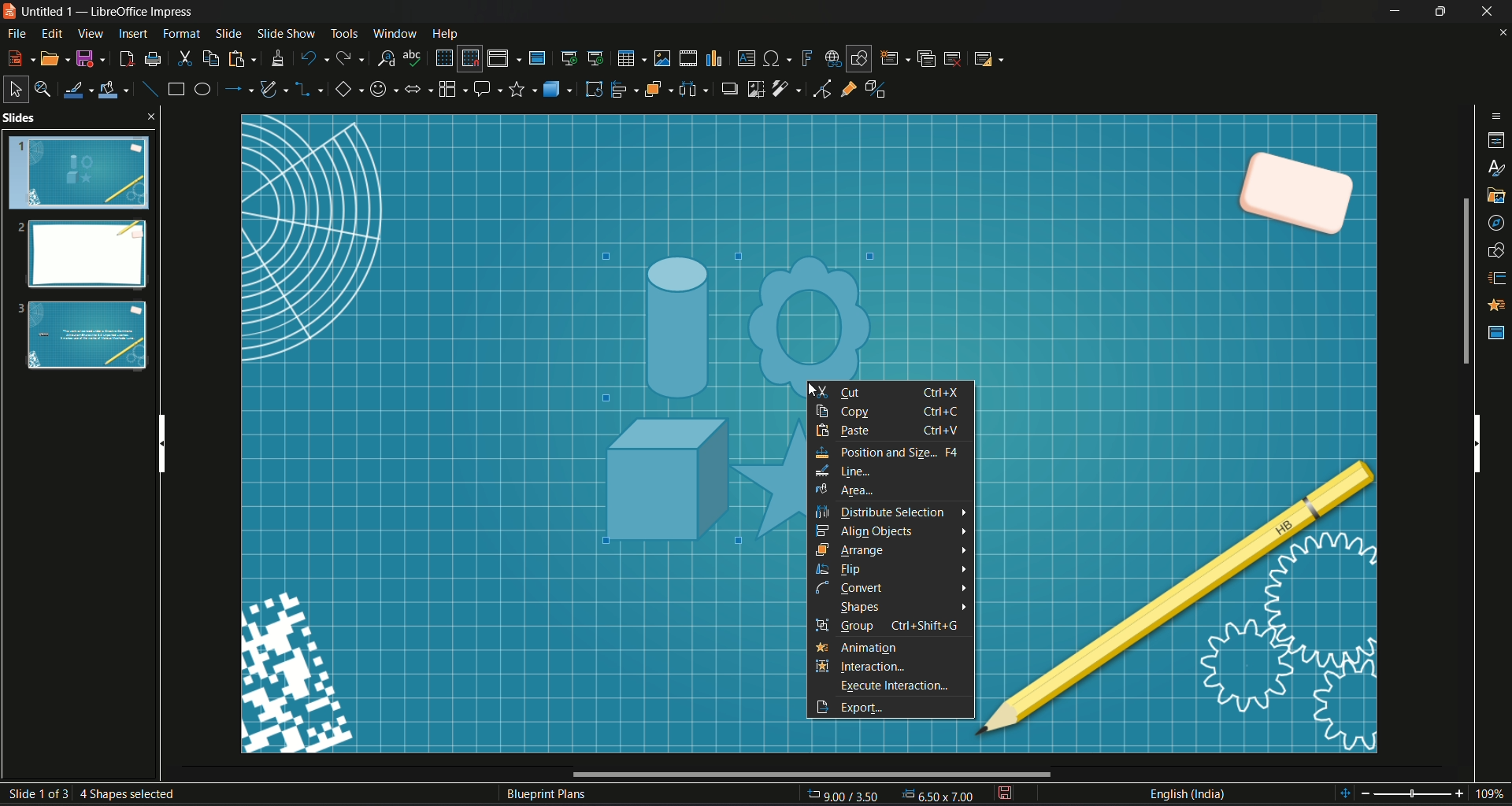 Image resolution: width=1512 pixels, height=806 pixels. What do you see at coordinates (1004, 794) in the screenshot?
I see `save` at bounding box center [1004, 794].